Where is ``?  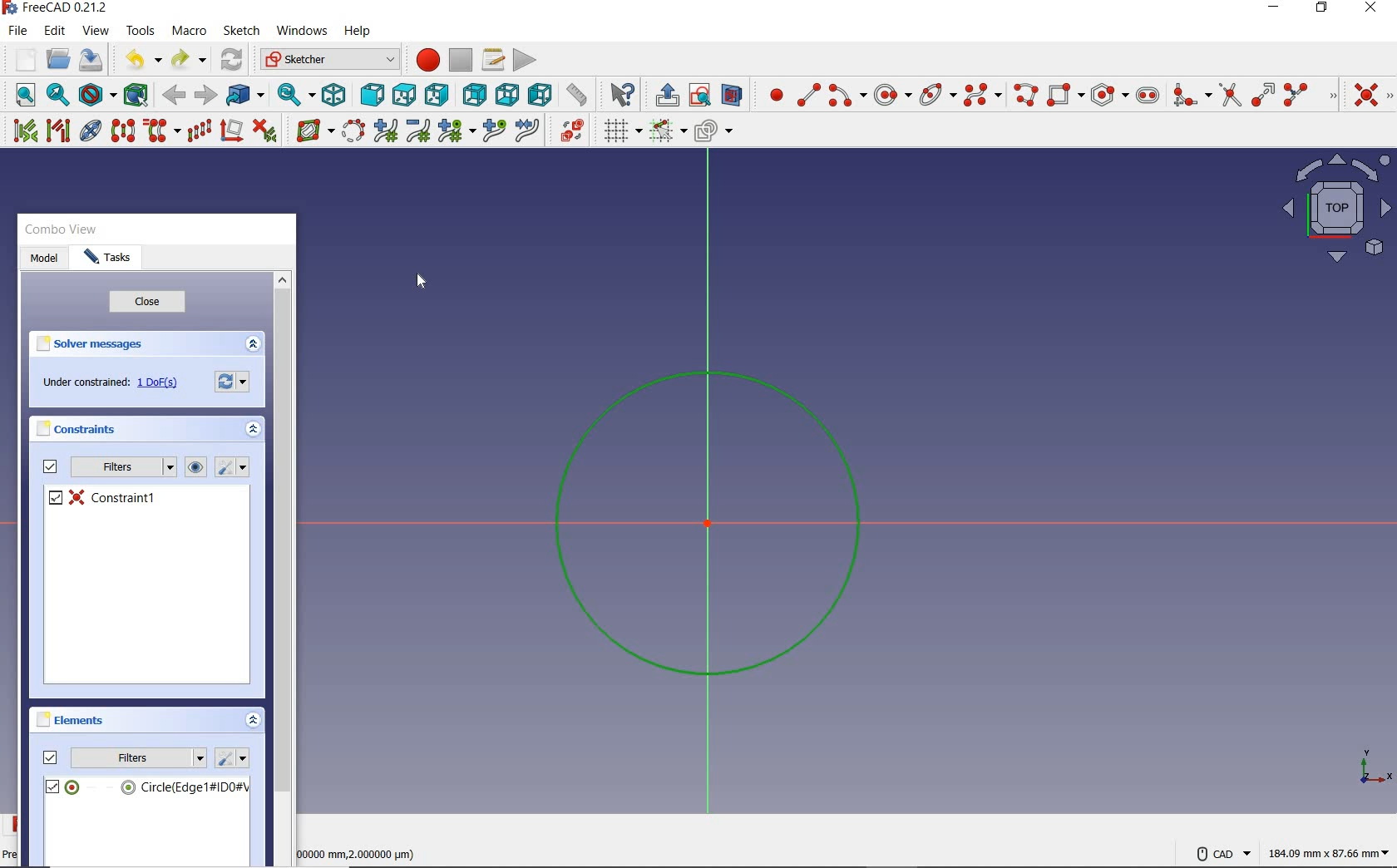  is located at coordinates (667, 129).